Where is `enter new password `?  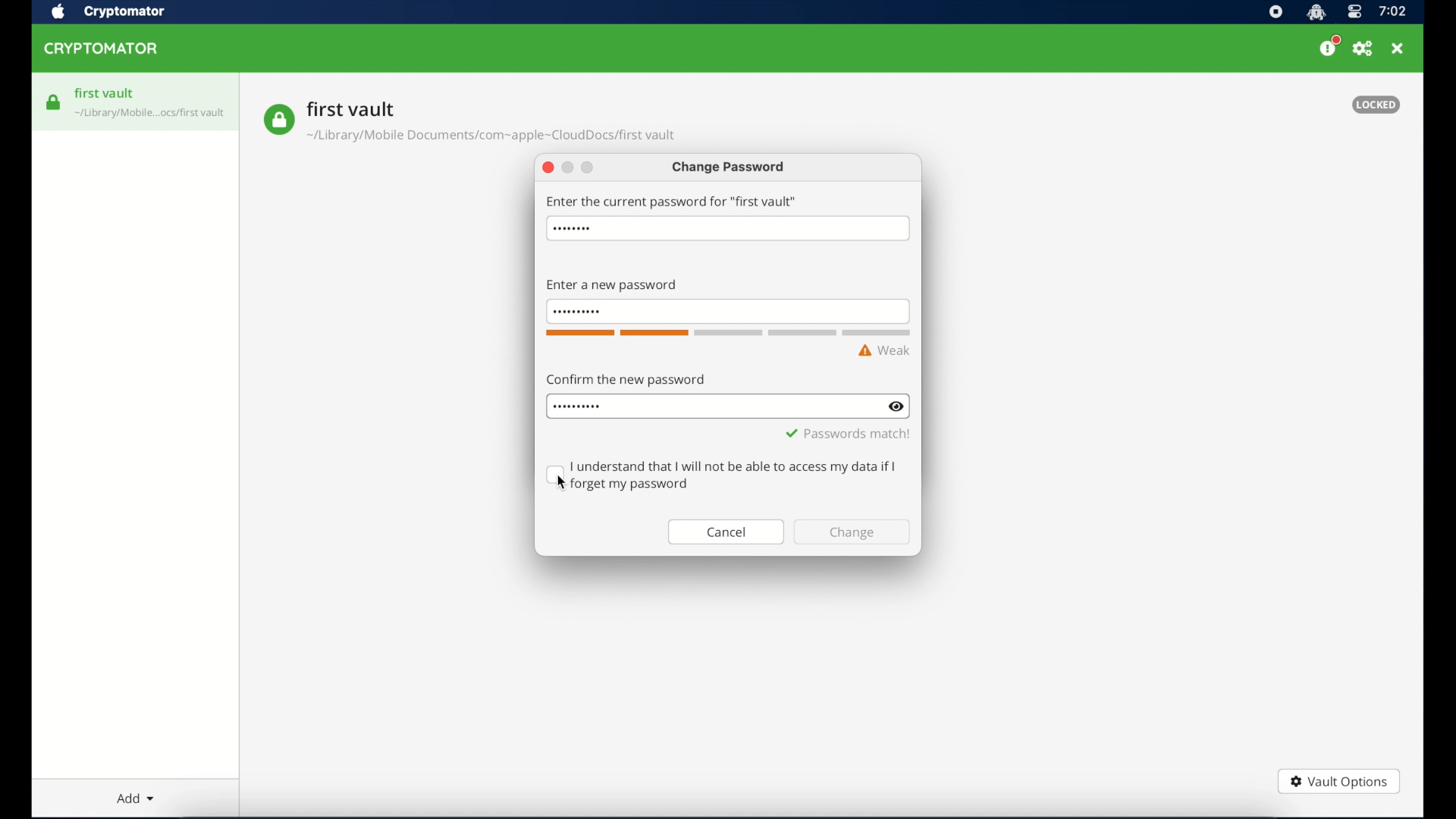 enter new password  is located at coordinates (611, 286).